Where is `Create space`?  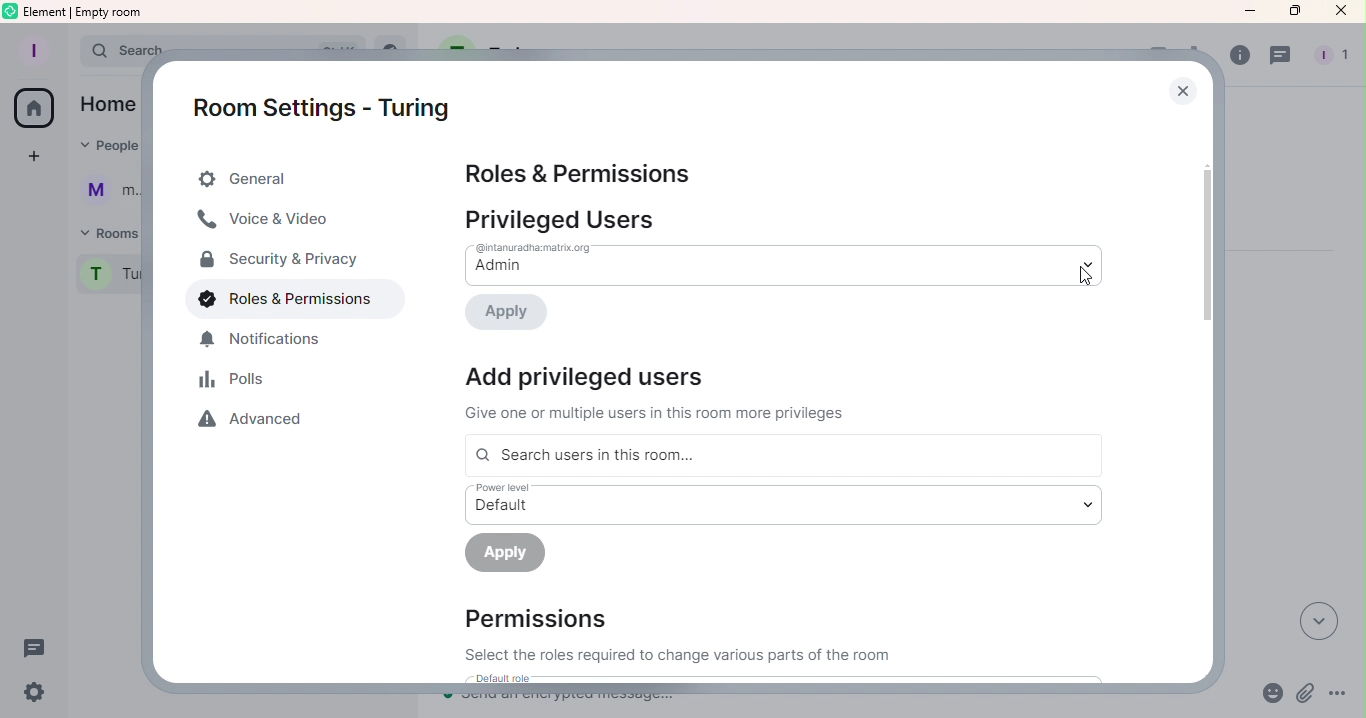 Create space is located at coordinates (35, 157).